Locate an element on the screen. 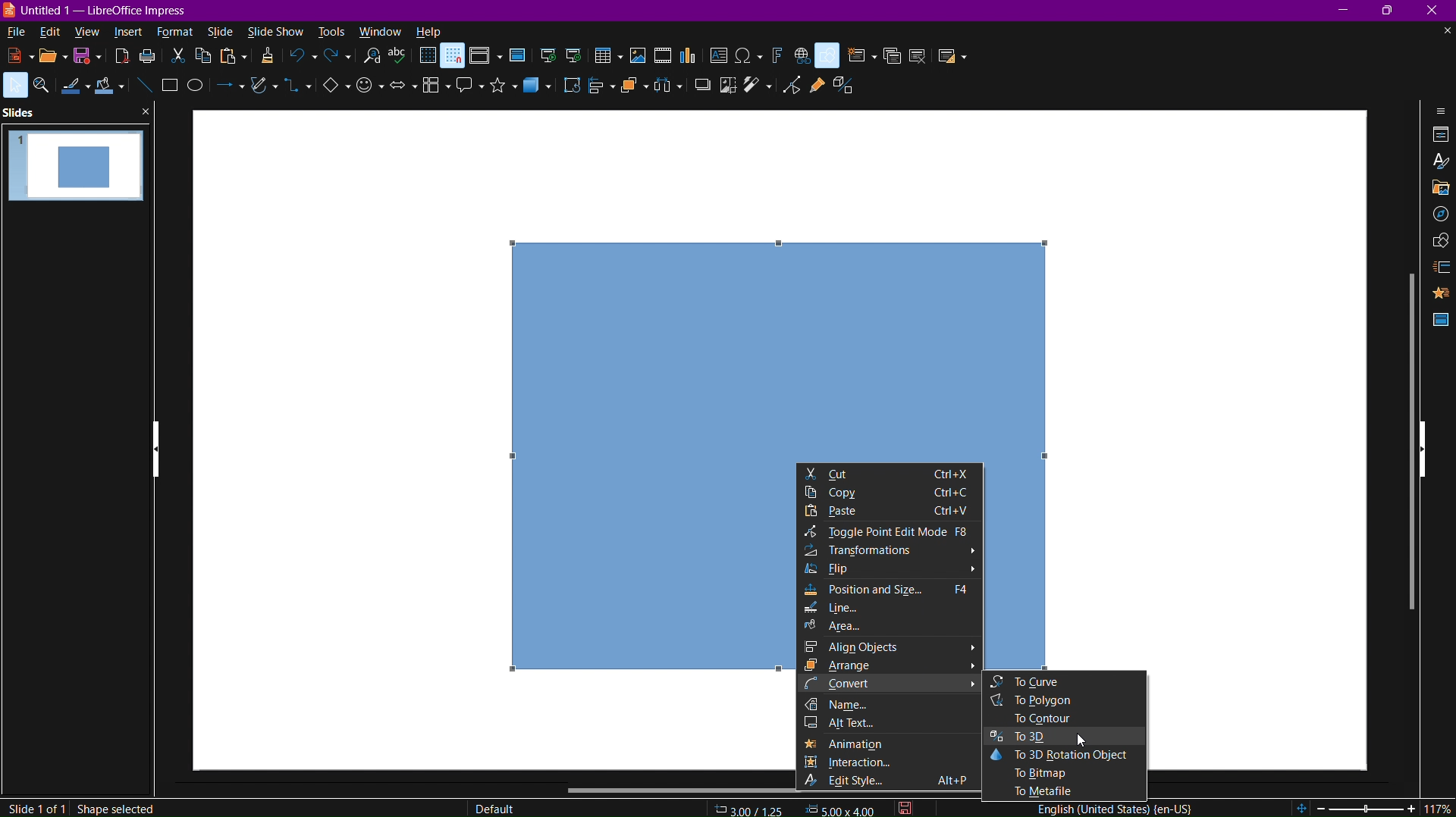  Name is located at coordinates (889, 704).